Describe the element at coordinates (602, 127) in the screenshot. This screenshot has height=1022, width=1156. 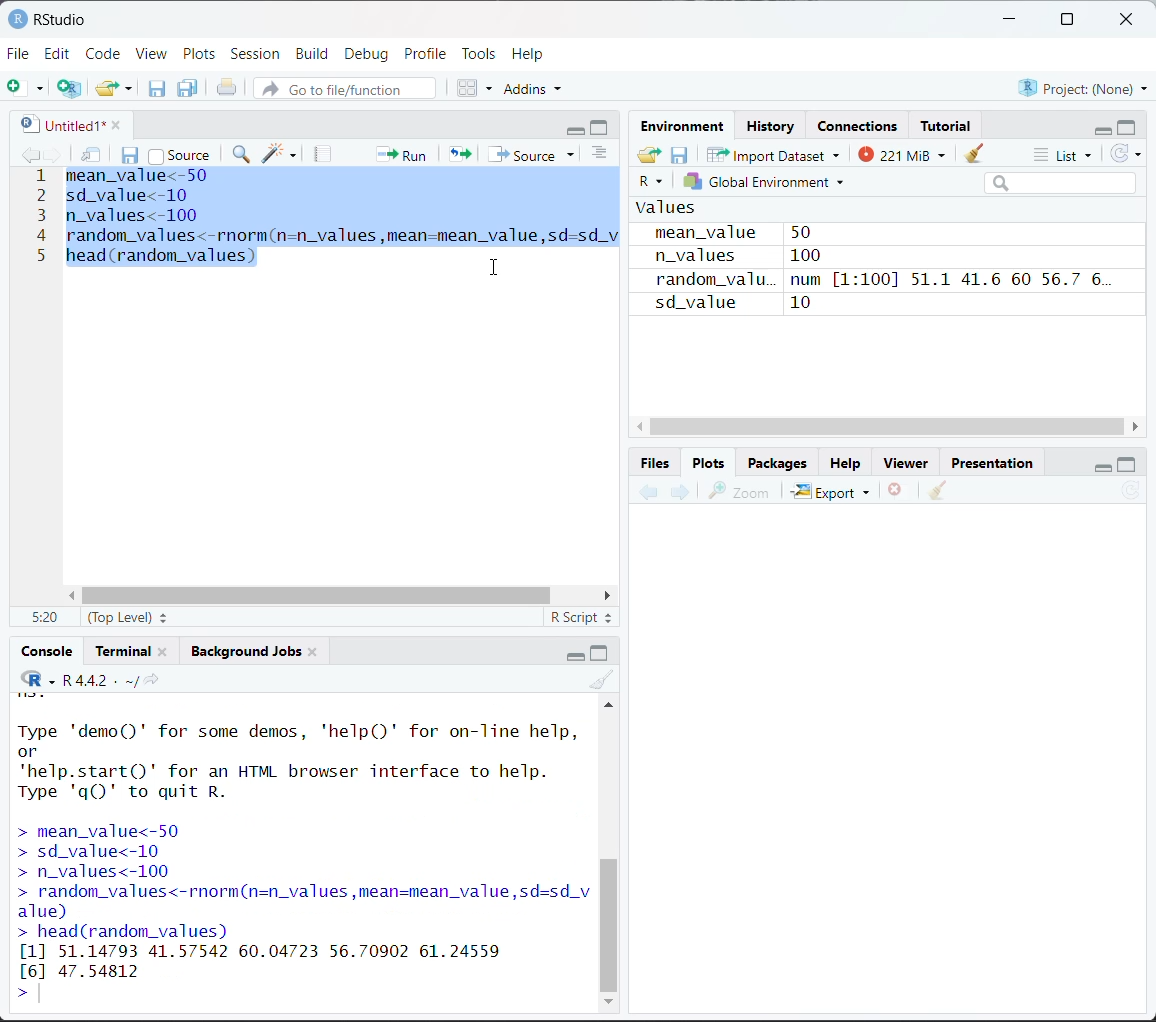
I see `maximize` at that location.